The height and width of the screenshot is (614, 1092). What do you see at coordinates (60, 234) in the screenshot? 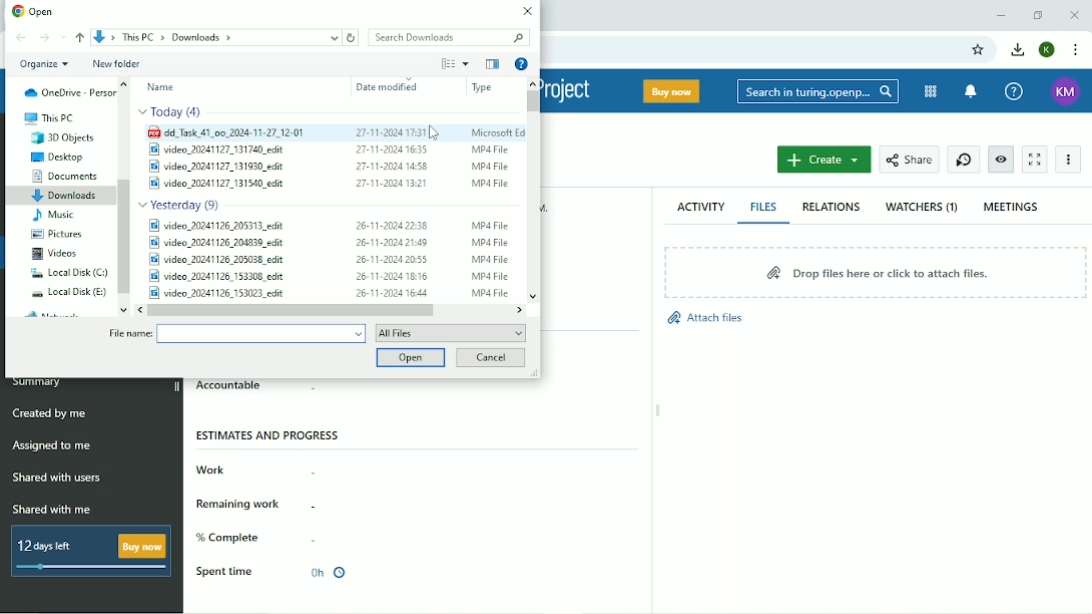
I see `Pictures` at bounding box center [60, 234].